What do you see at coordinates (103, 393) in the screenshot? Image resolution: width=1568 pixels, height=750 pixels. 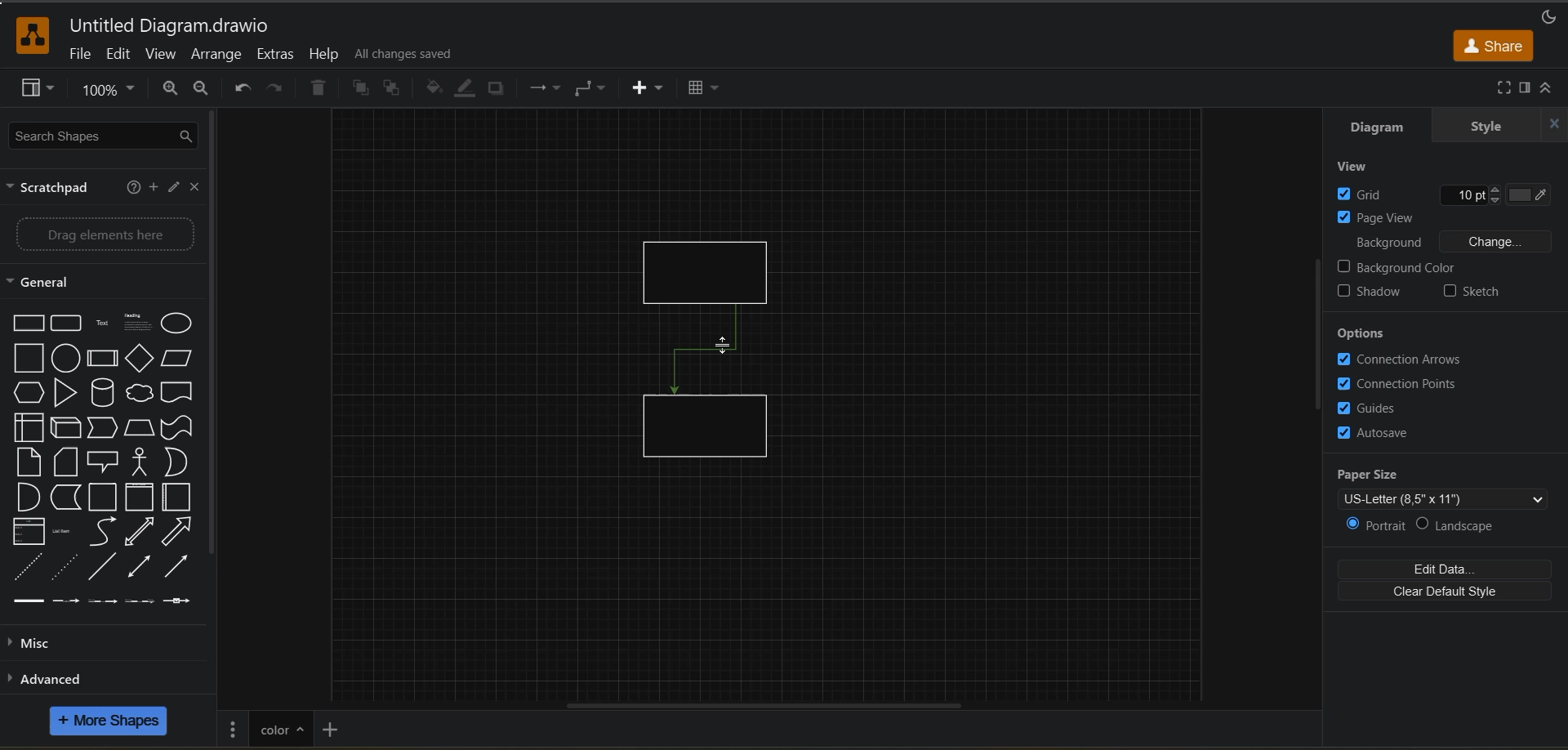 I see `Cylinder` at bounding box center [103, 393].